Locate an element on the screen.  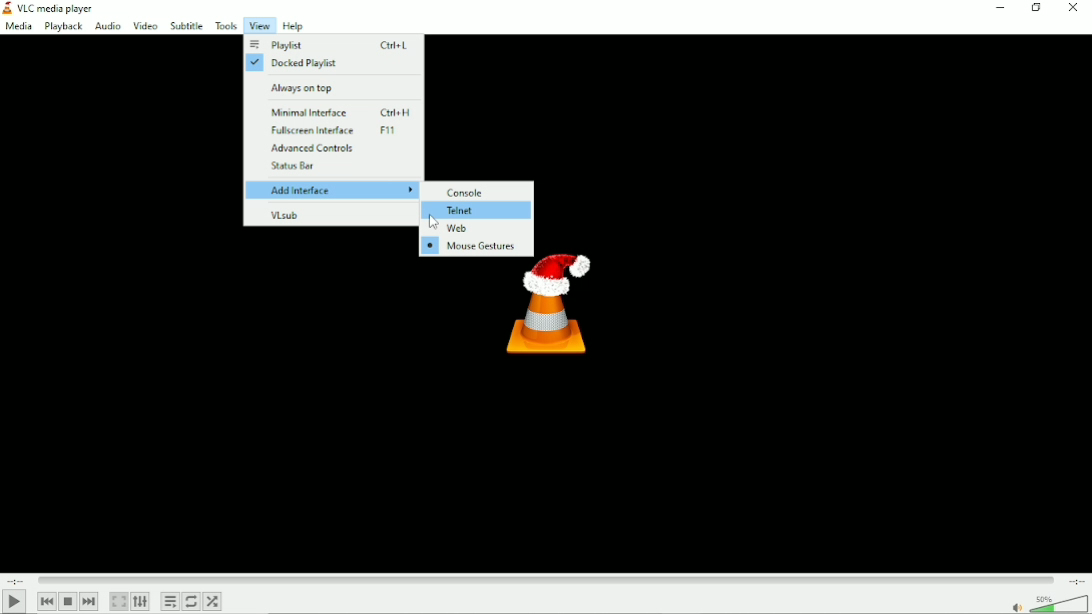
Playback is located at coordinates (63, 27).